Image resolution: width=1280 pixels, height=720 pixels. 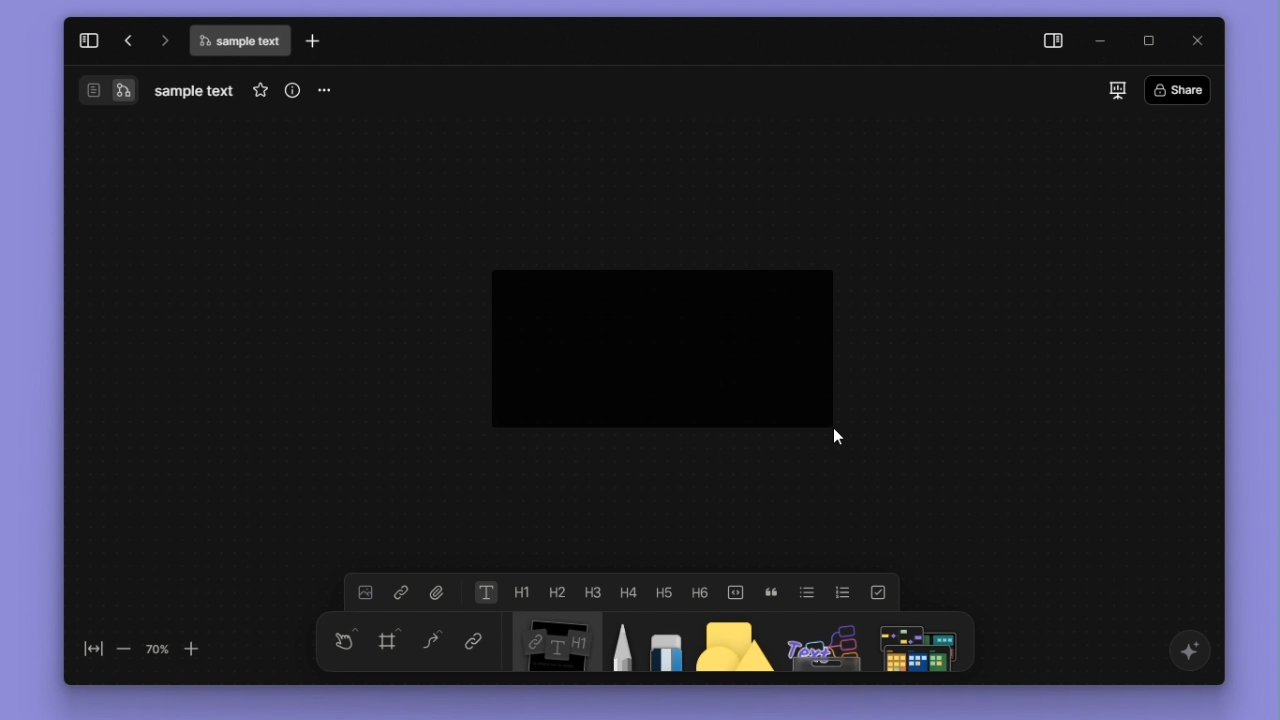 I want to click on Note N, so click(x=550, y=645).